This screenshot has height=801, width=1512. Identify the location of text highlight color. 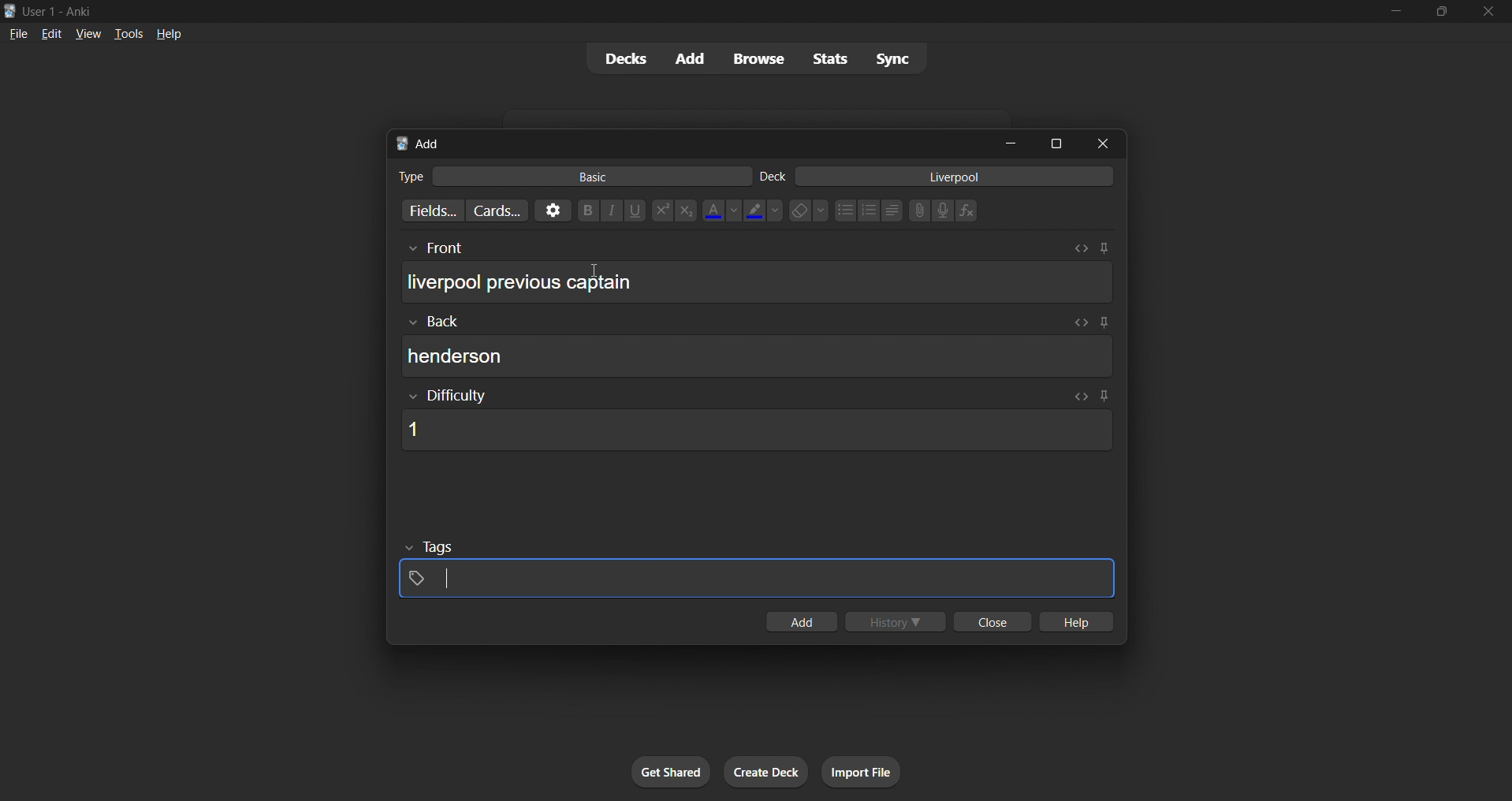
(763, 210).